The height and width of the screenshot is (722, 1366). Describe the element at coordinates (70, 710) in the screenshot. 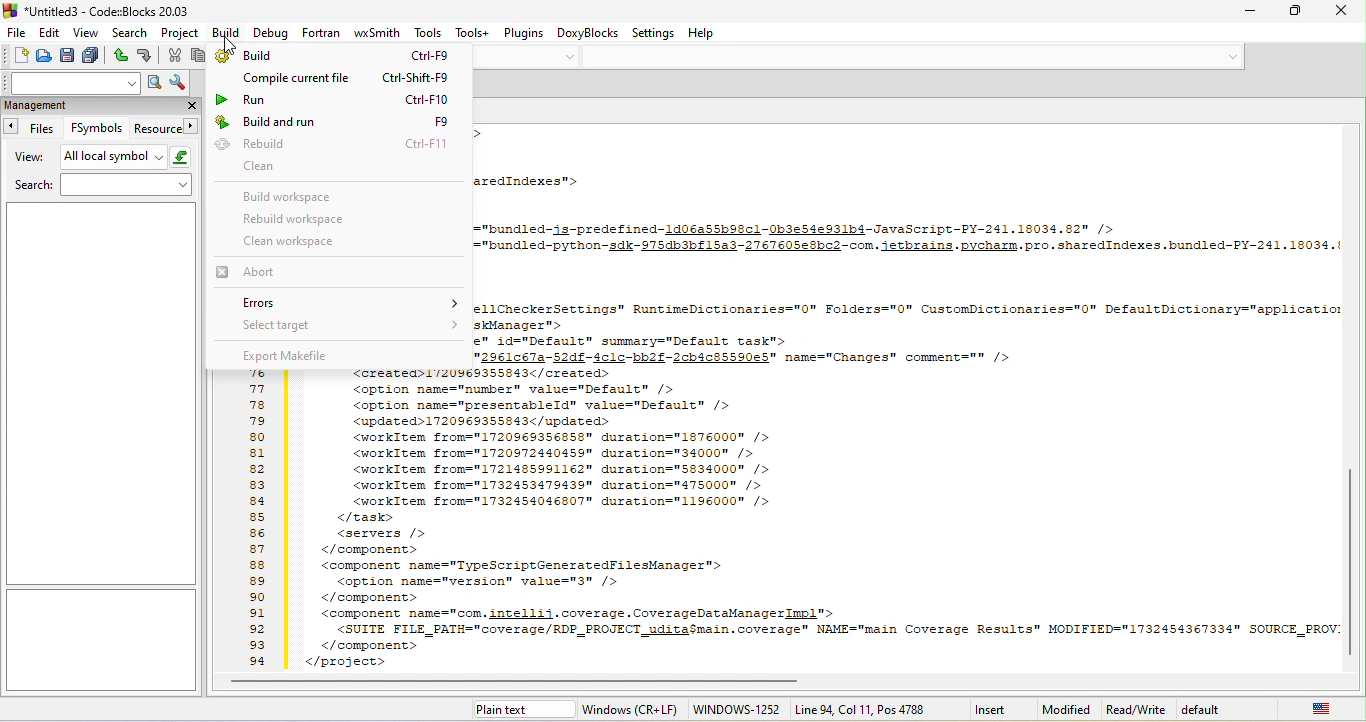

I see `untitled 3` at that location.